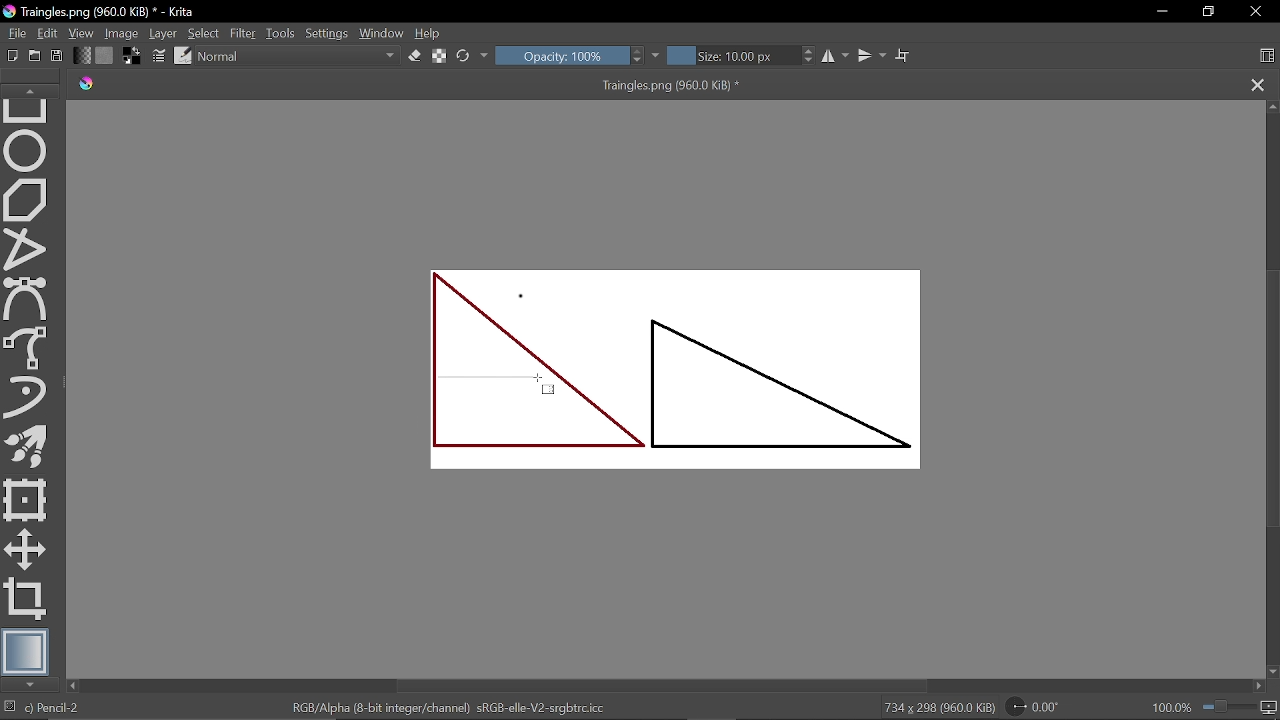  Describe the element at coordinates (244, 32) in the screenshot. I see `Filter` at that location.